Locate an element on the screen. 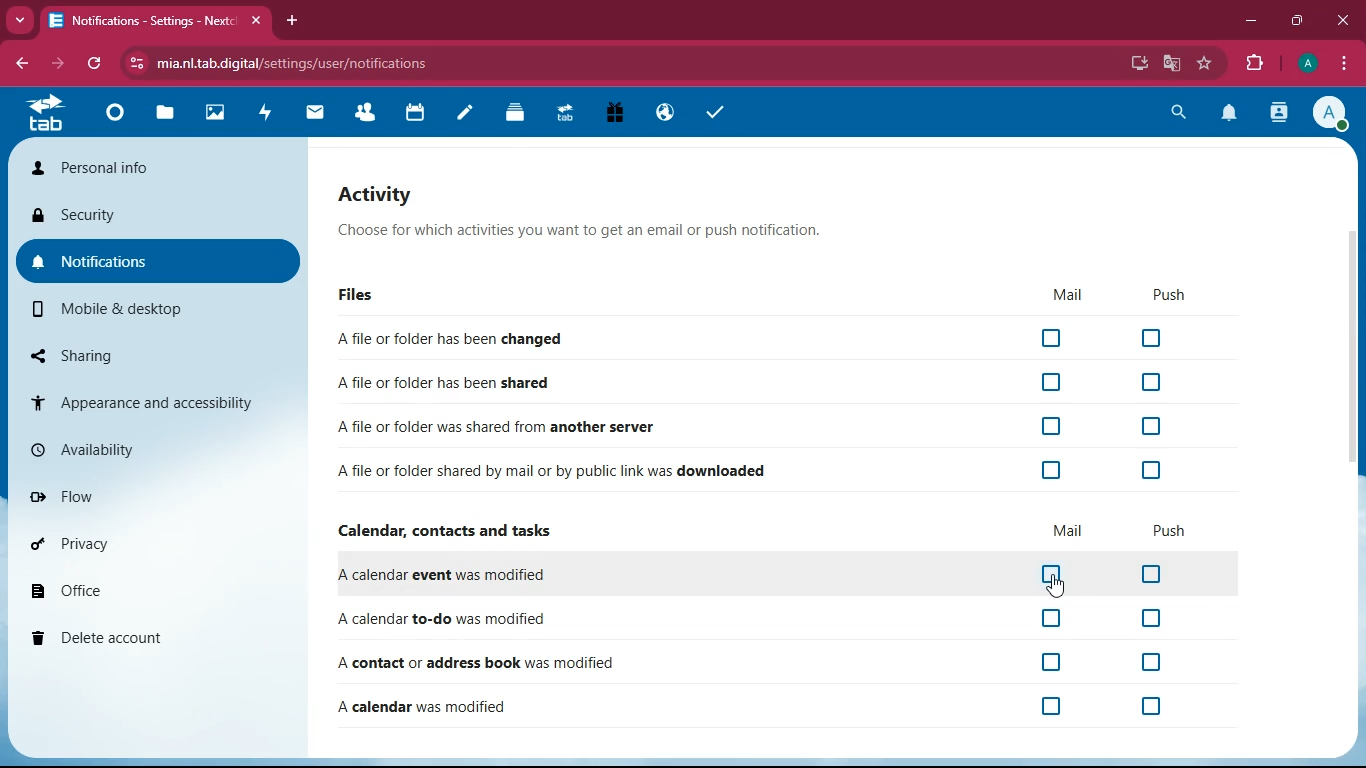  mail is located at coordinates (315, 114).